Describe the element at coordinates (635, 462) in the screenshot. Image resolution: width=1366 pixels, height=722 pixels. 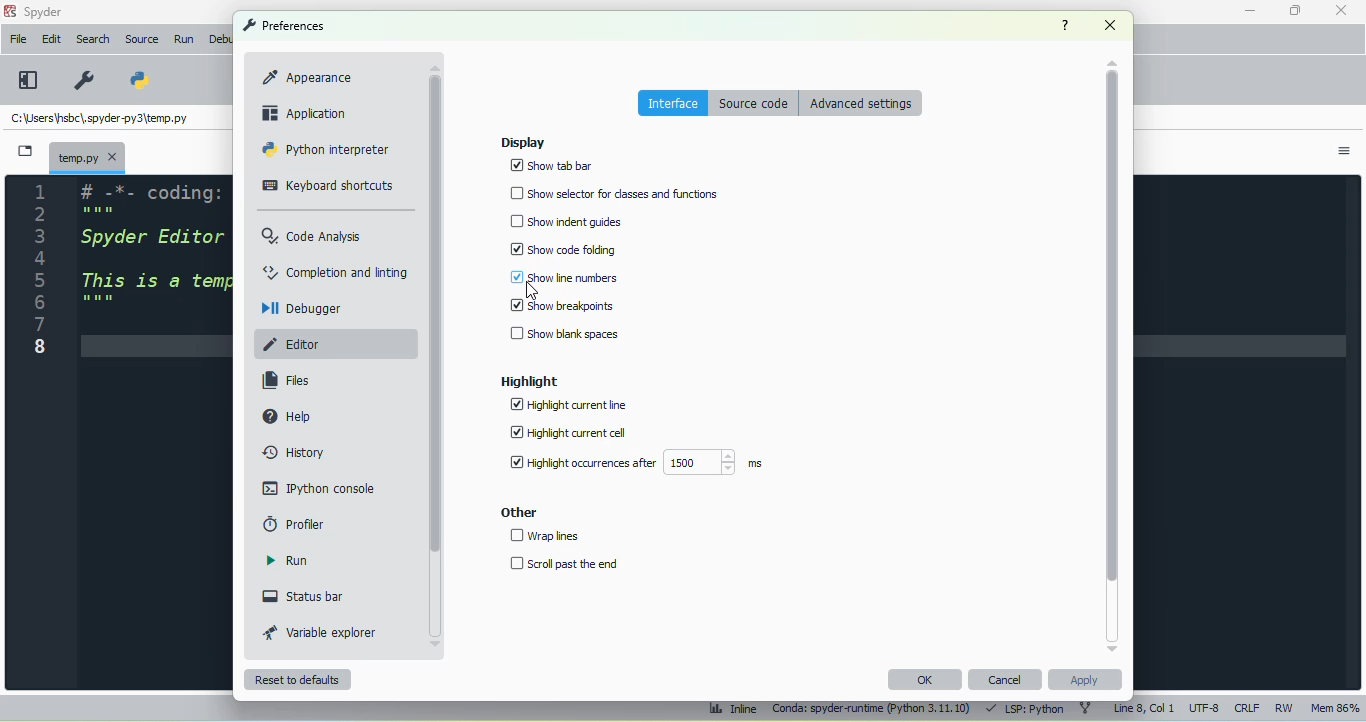
I see `highlight occurrences after 1500 ms` at that location.